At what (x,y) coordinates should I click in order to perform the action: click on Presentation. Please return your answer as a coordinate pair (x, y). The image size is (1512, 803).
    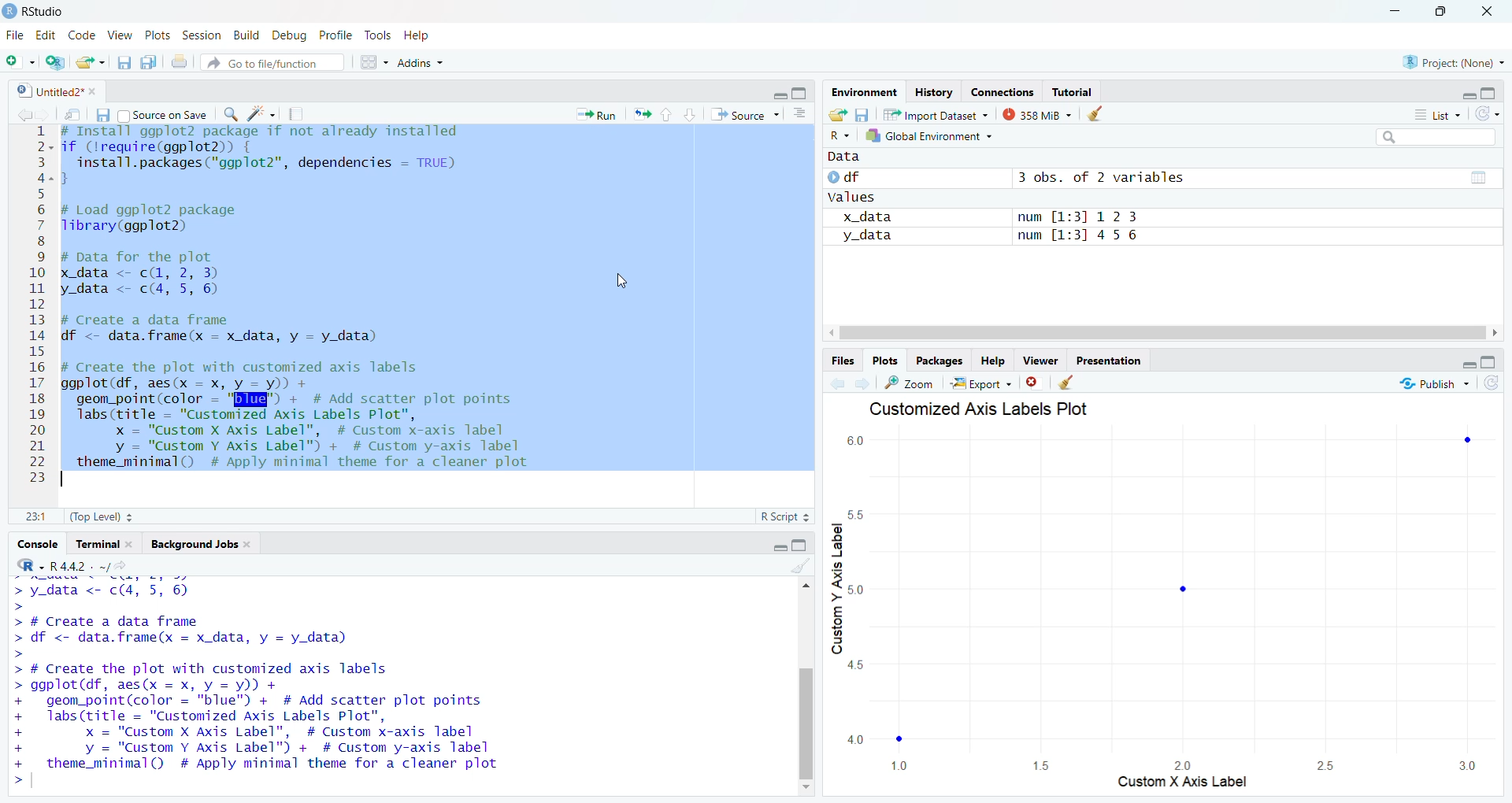
    Looking at the image, I should click on (1112, 362).